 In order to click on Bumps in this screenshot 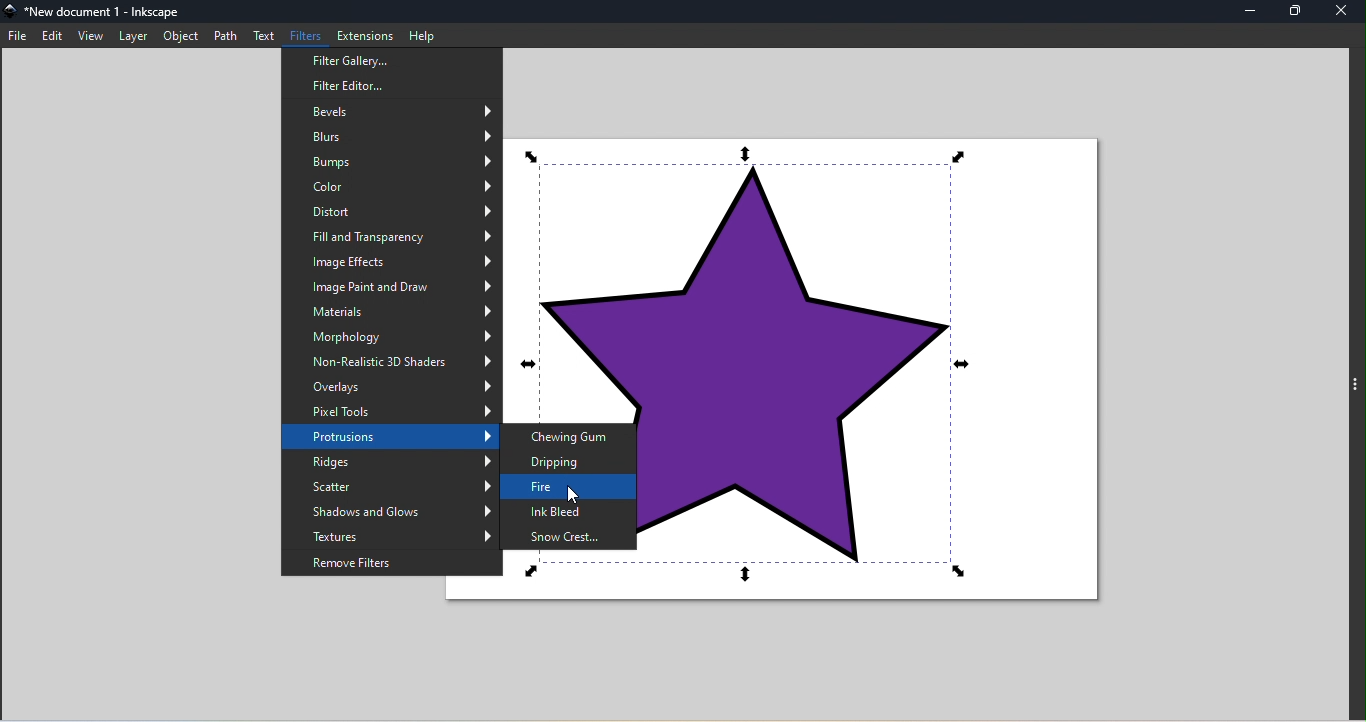, I will do `click(392, 162)`.